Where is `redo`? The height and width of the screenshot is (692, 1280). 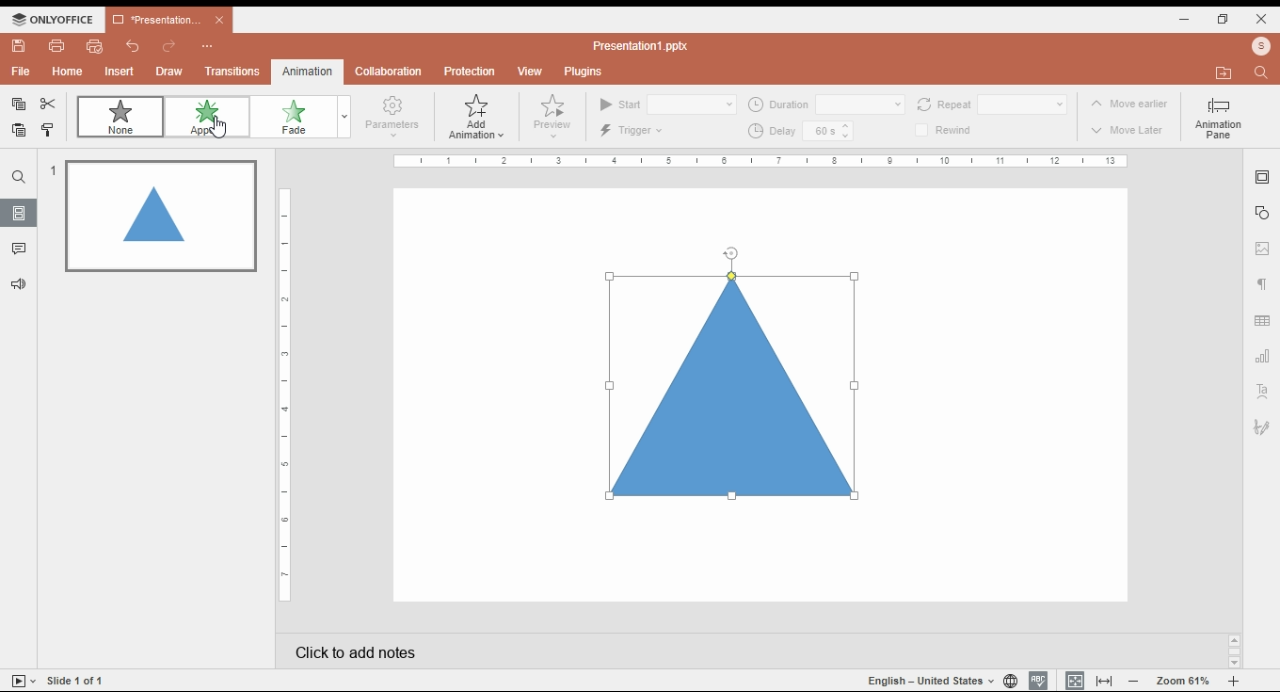 redo is located at coordinates (170, 46).